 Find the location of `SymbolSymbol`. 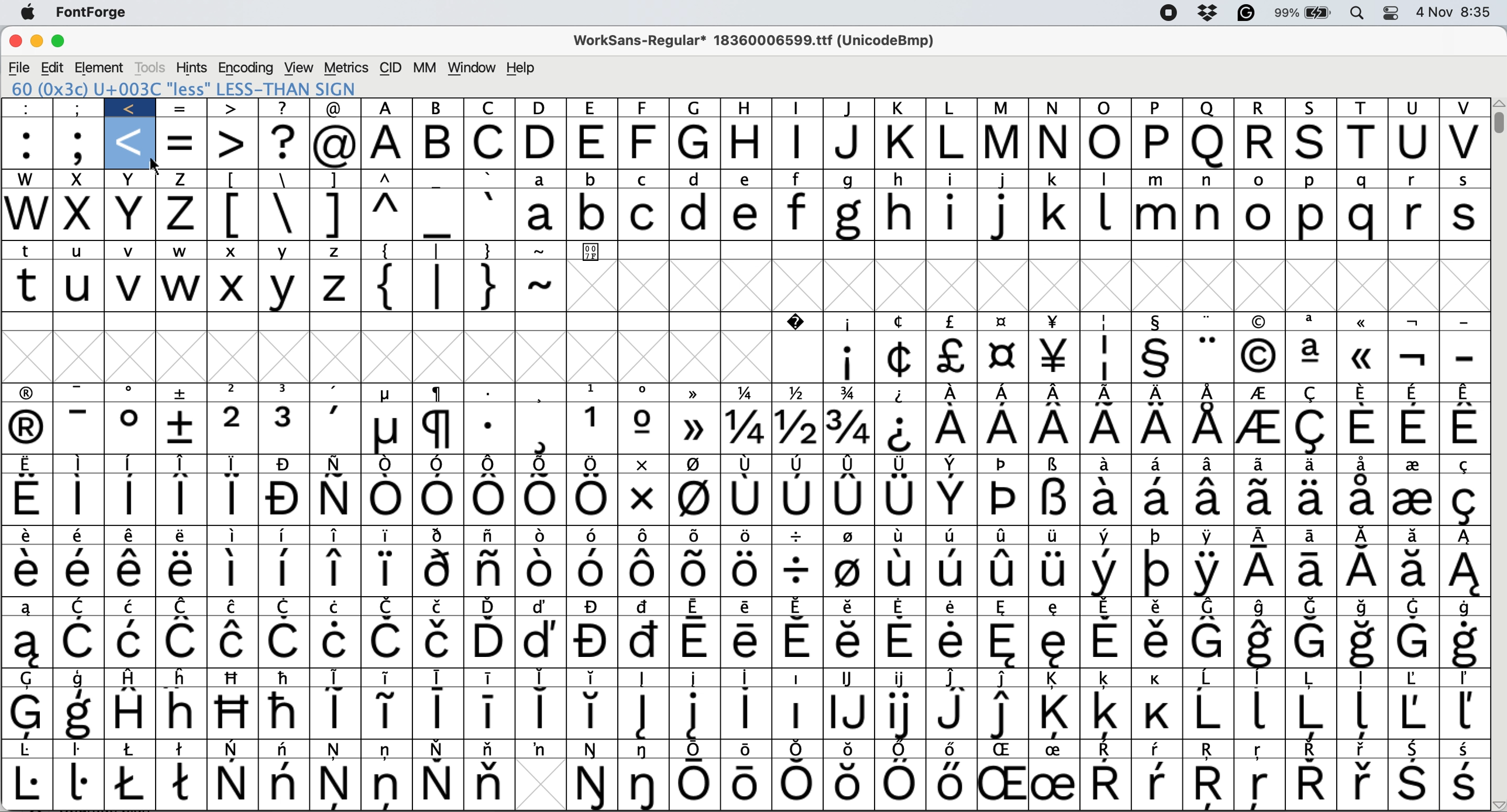

SymbolSymbol is located at coordinates (1363, 643).